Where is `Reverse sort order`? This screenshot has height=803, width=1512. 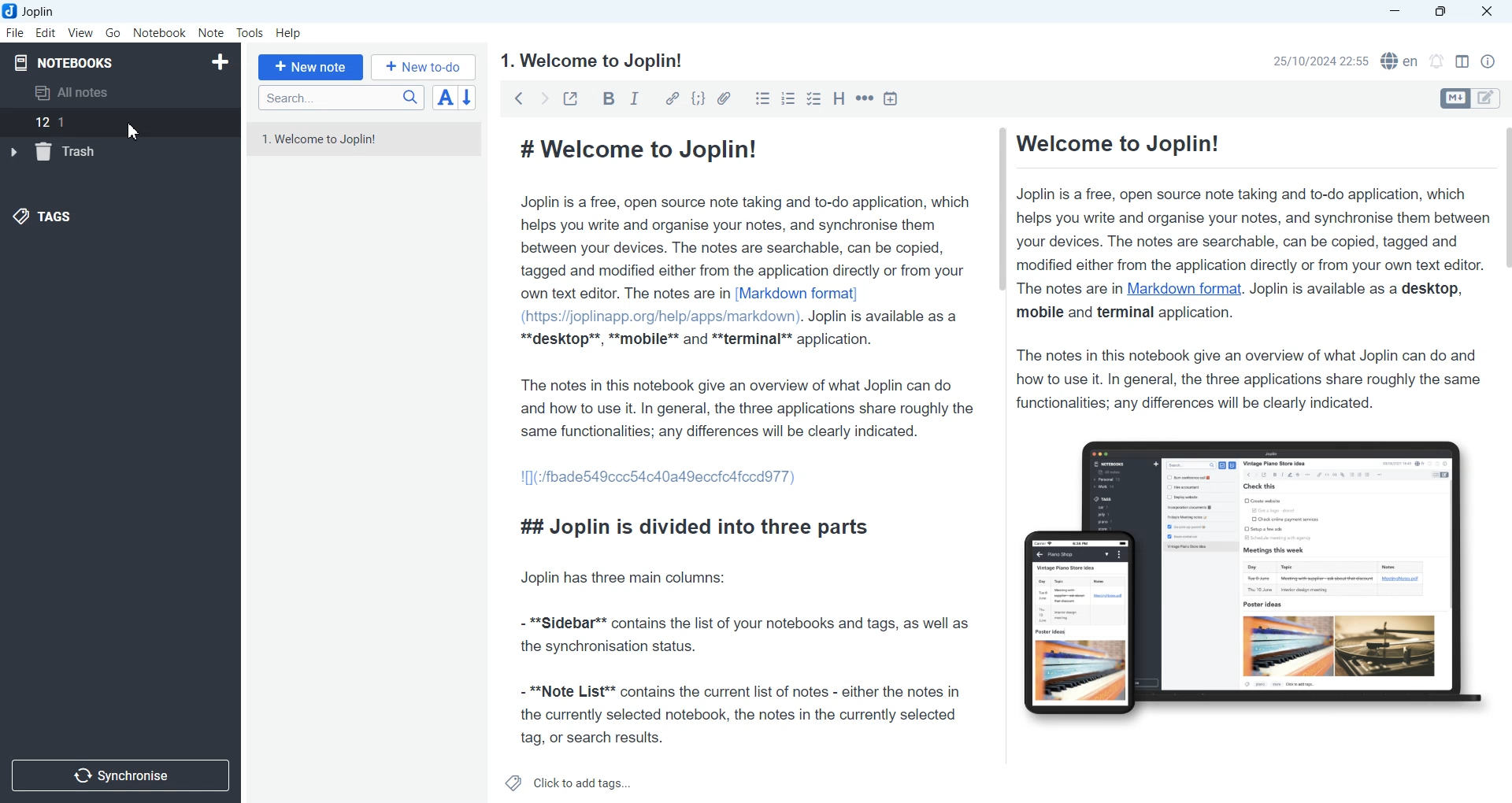
Reverse sort order is located at coordinates (469, 98).